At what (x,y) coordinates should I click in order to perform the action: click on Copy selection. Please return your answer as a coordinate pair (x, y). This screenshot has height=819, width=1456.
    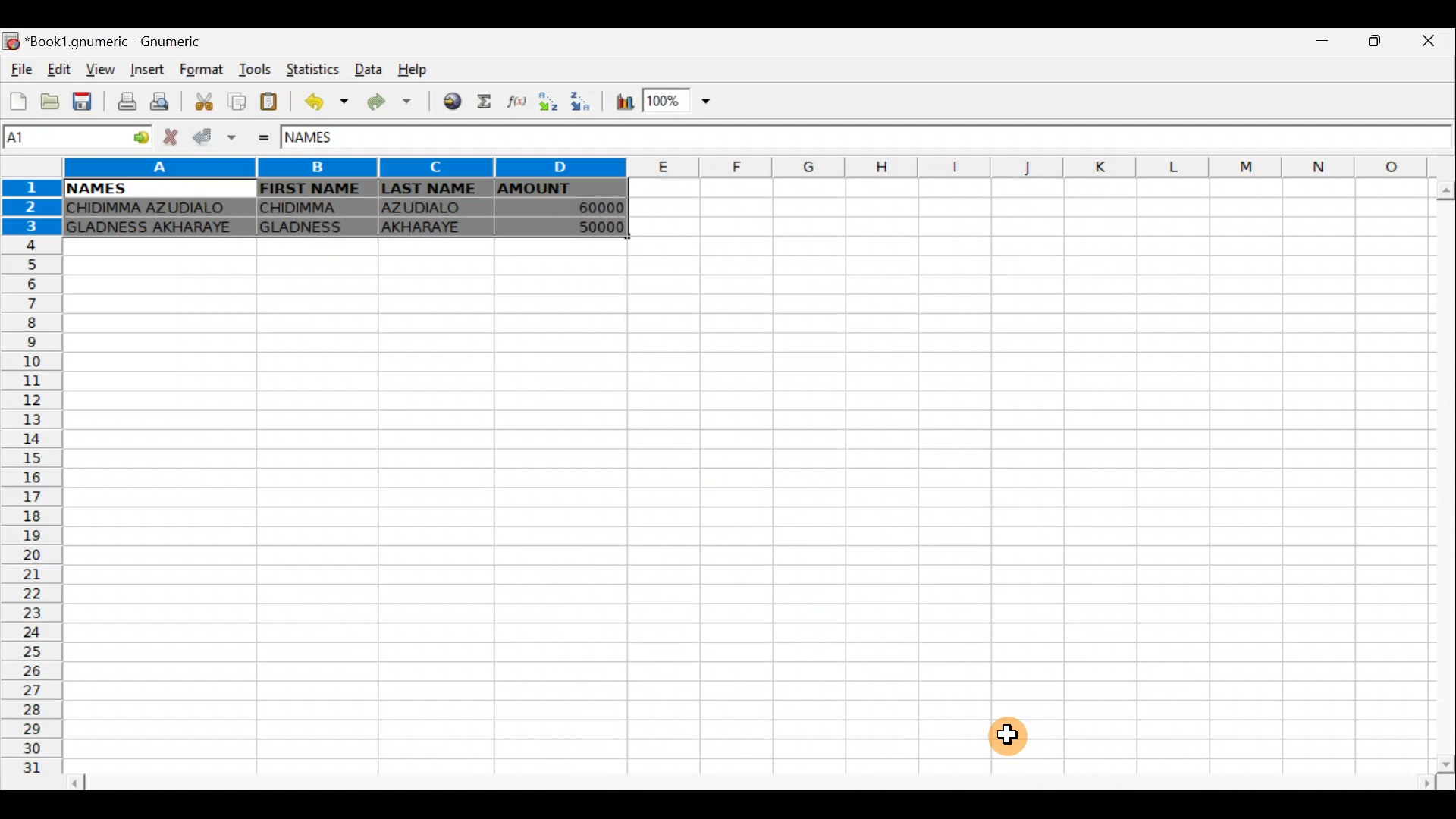
    Looking at the image, I should click on (237, 102).